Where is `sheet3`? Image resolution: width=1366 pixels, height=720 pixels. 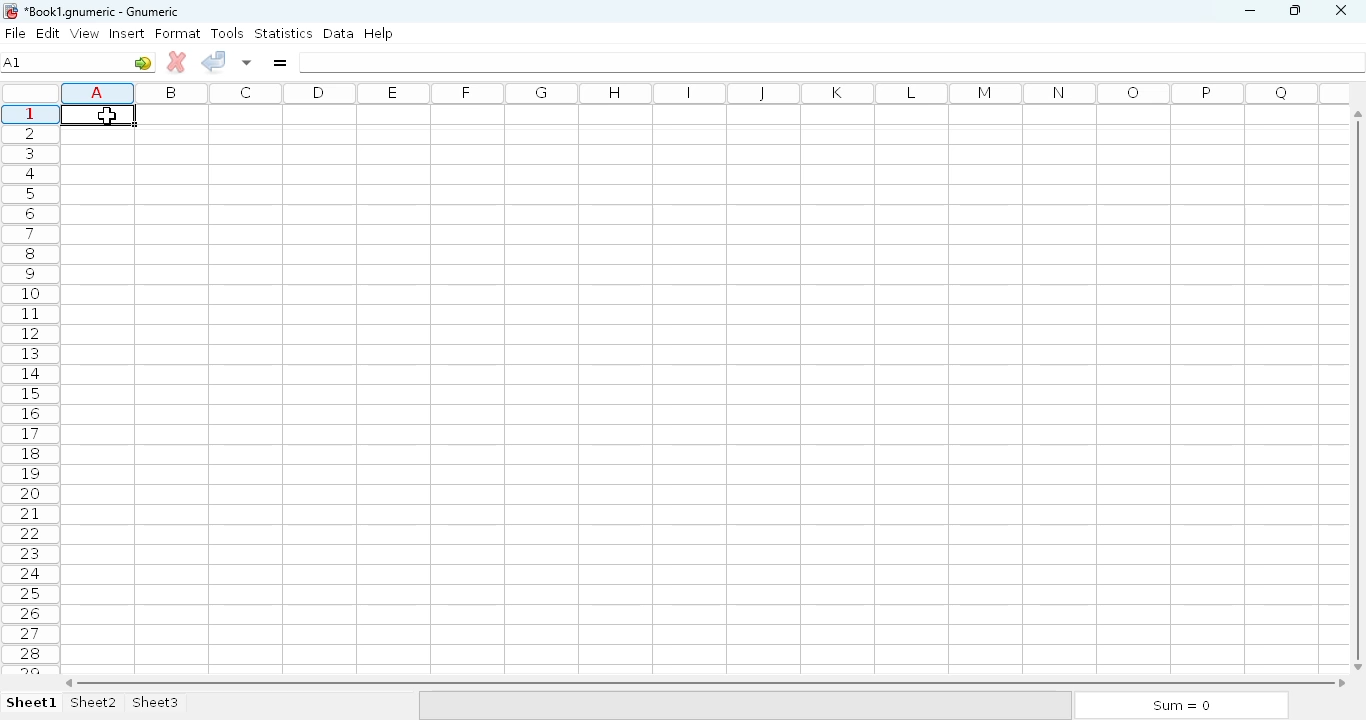 sheet3 is located at coordinates (155, 703).